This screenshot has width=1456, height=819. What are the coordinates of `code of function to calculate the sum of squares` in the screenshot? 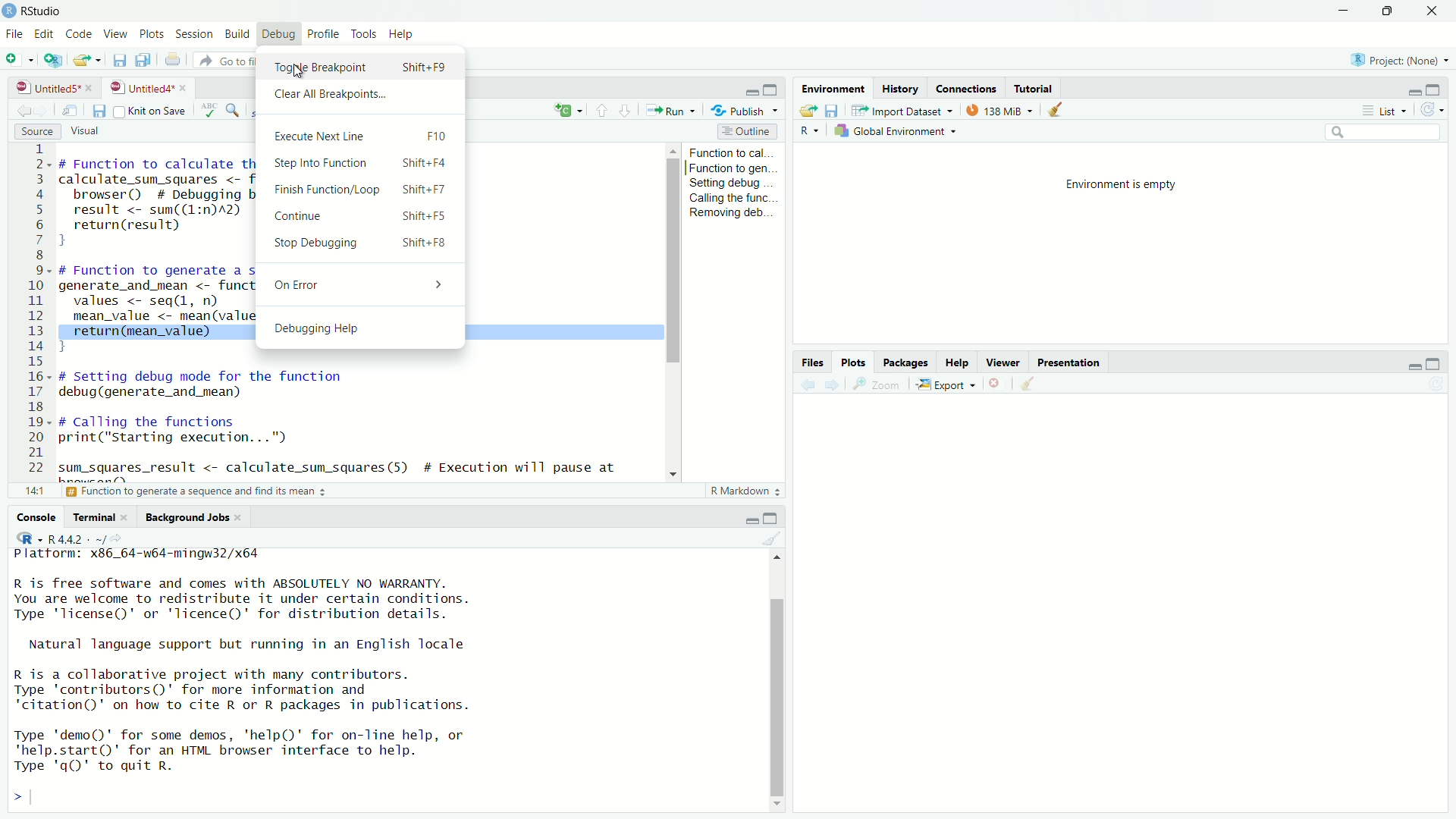 It's located at (155, 202).